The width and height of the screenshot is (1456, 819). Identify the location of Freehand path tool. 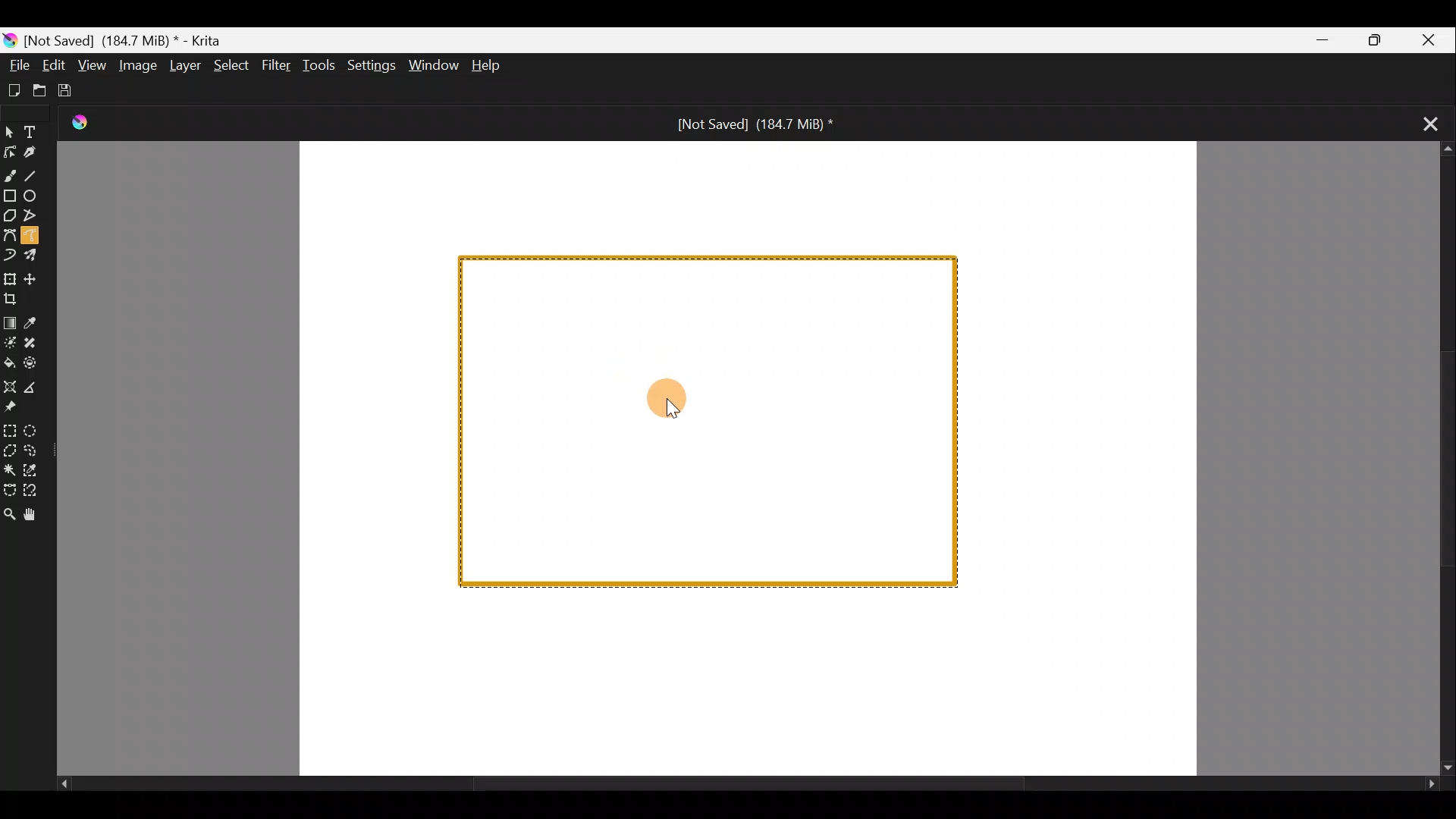
(42, 239).